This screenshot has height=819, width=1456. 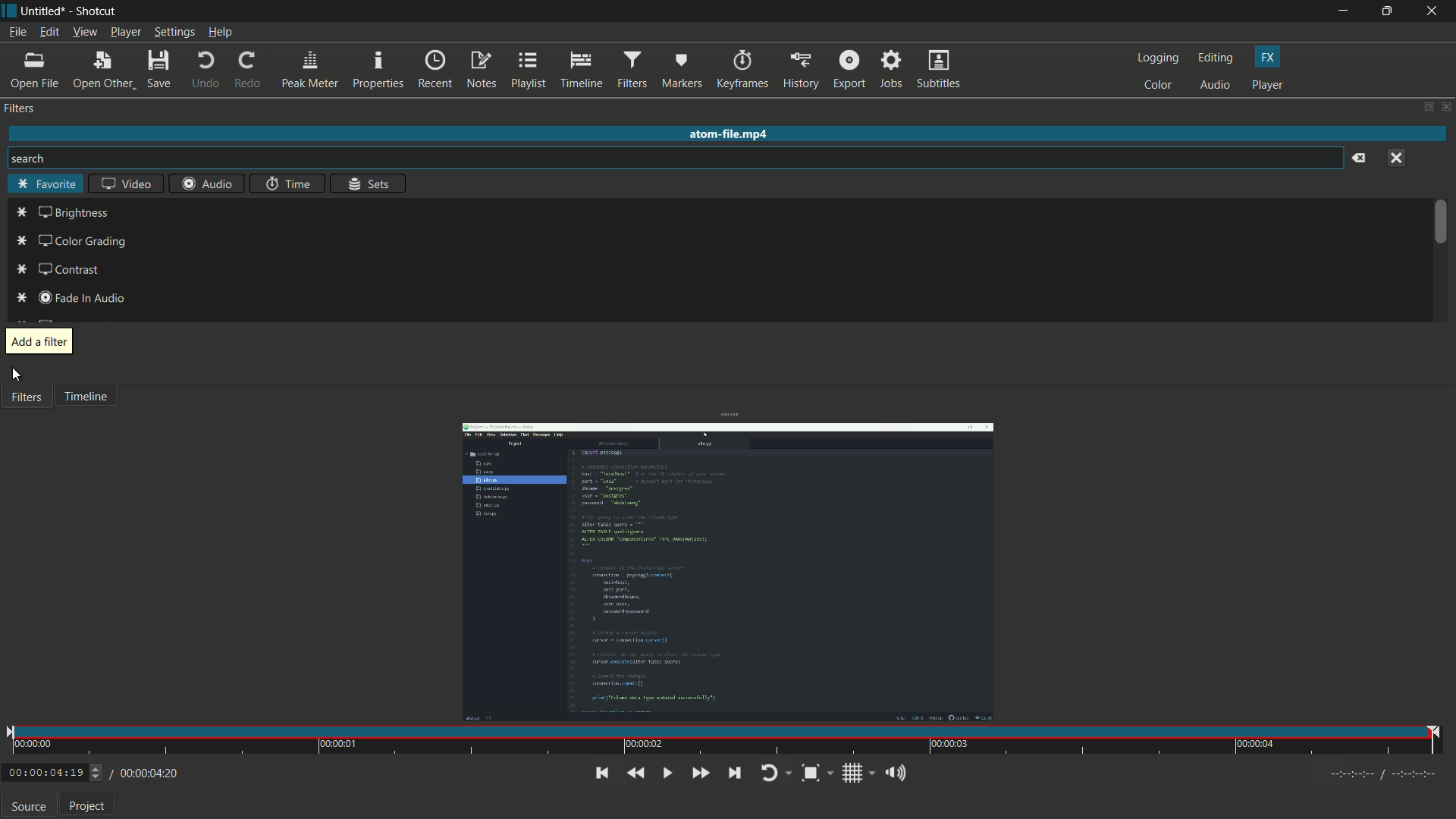 I want to click on color grading, so click(x=71, y=241).